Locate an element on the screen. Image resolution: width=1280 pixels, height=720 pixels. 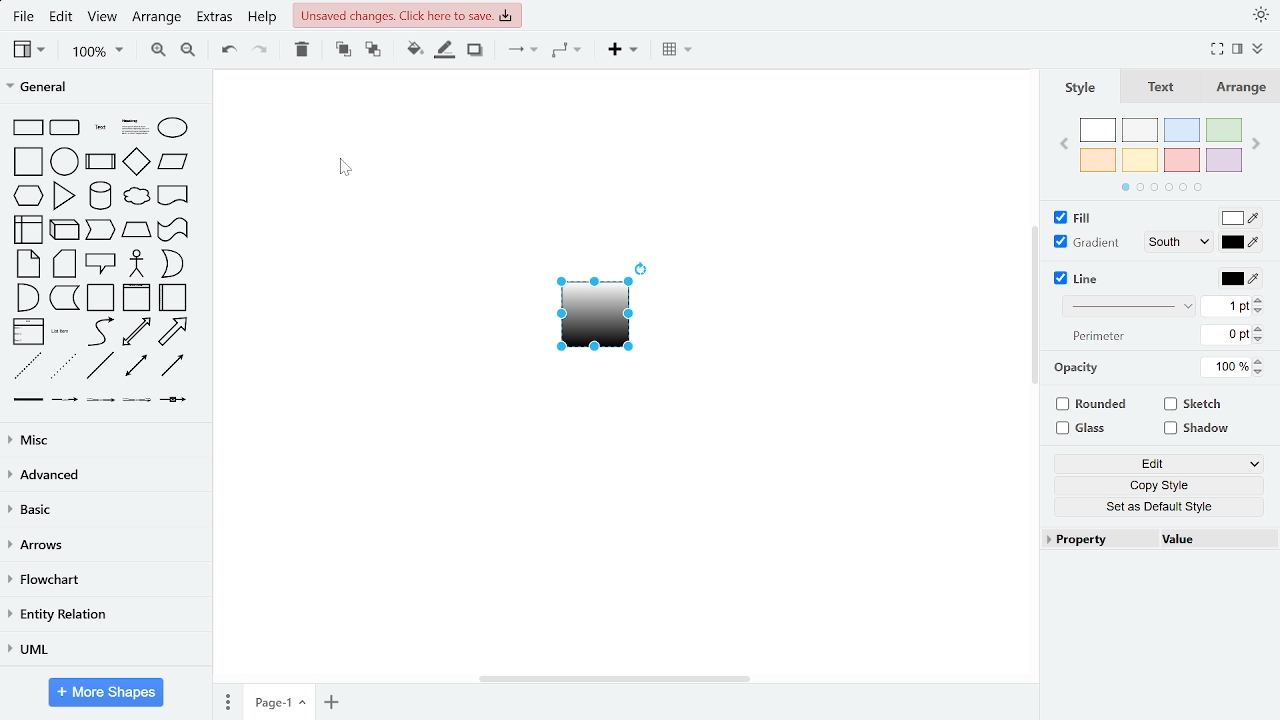
current opacity is located at coordinates (1223, 368).